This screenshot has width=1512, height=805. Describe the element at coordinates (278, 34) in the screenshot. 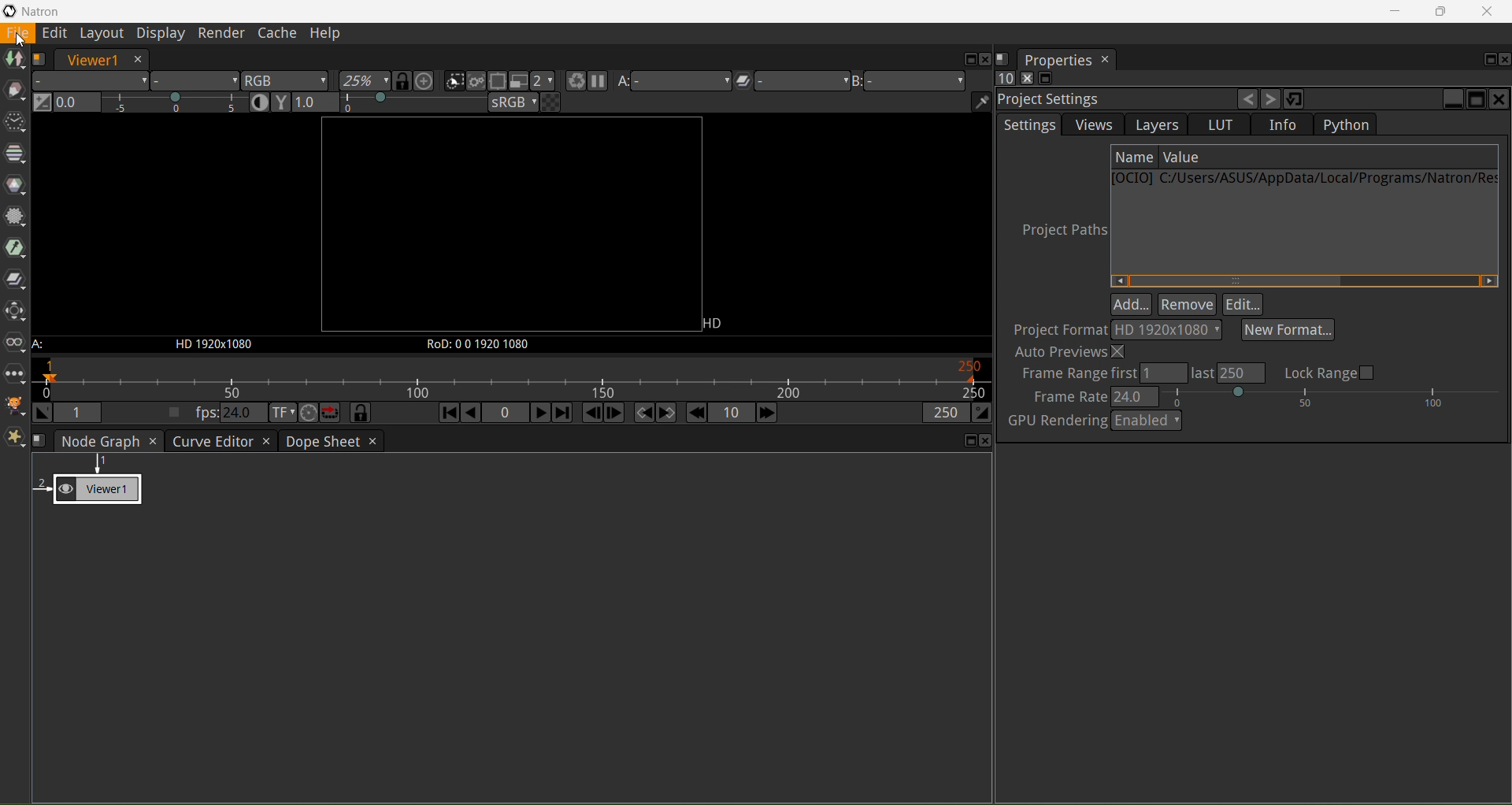

I see `Cache` at that location.